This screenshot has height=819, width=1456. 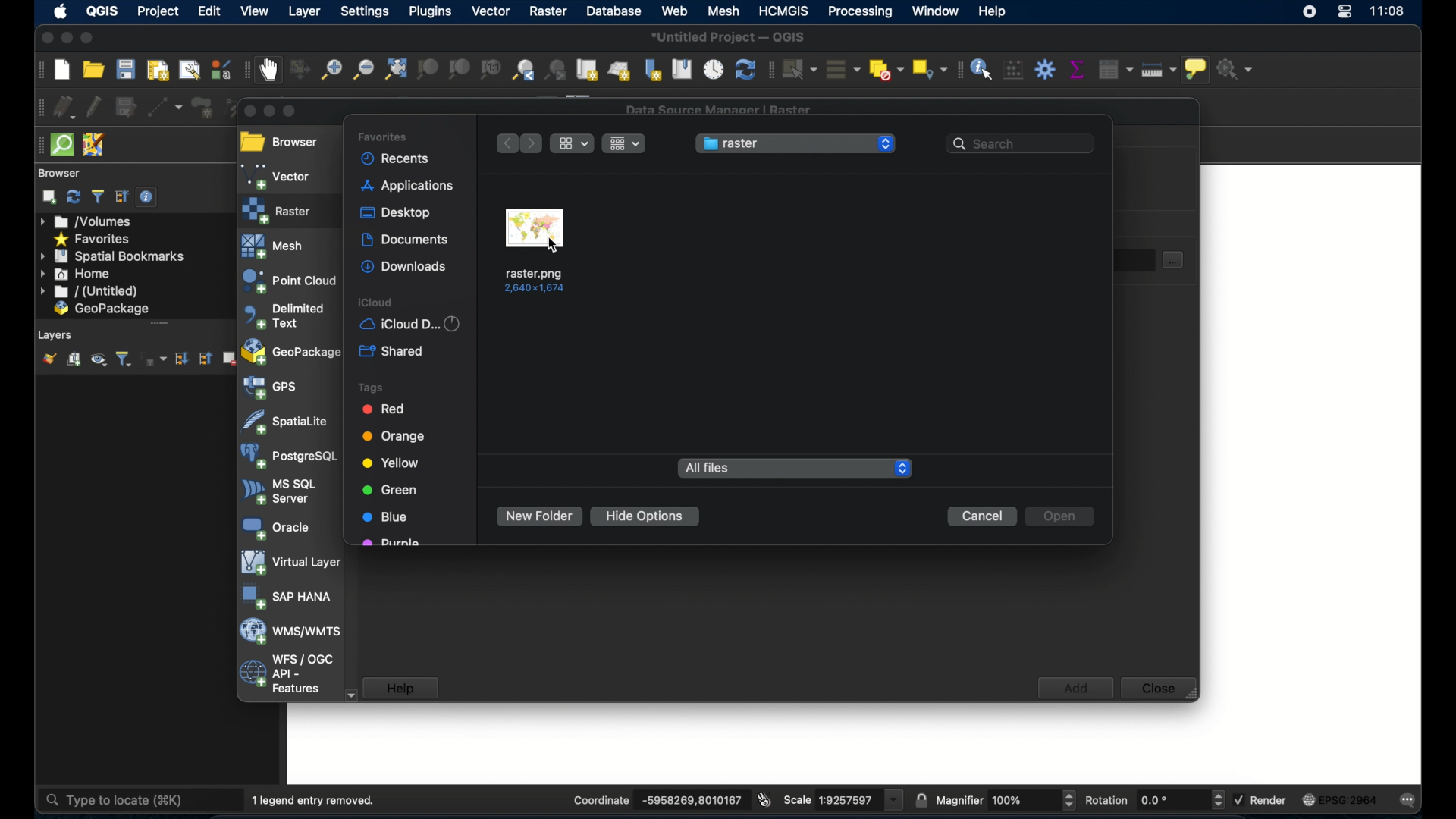 What do you see at coordinates (458, 69) in the screenshot?
I see `zoom to layer` at bounding box center [458, 69].